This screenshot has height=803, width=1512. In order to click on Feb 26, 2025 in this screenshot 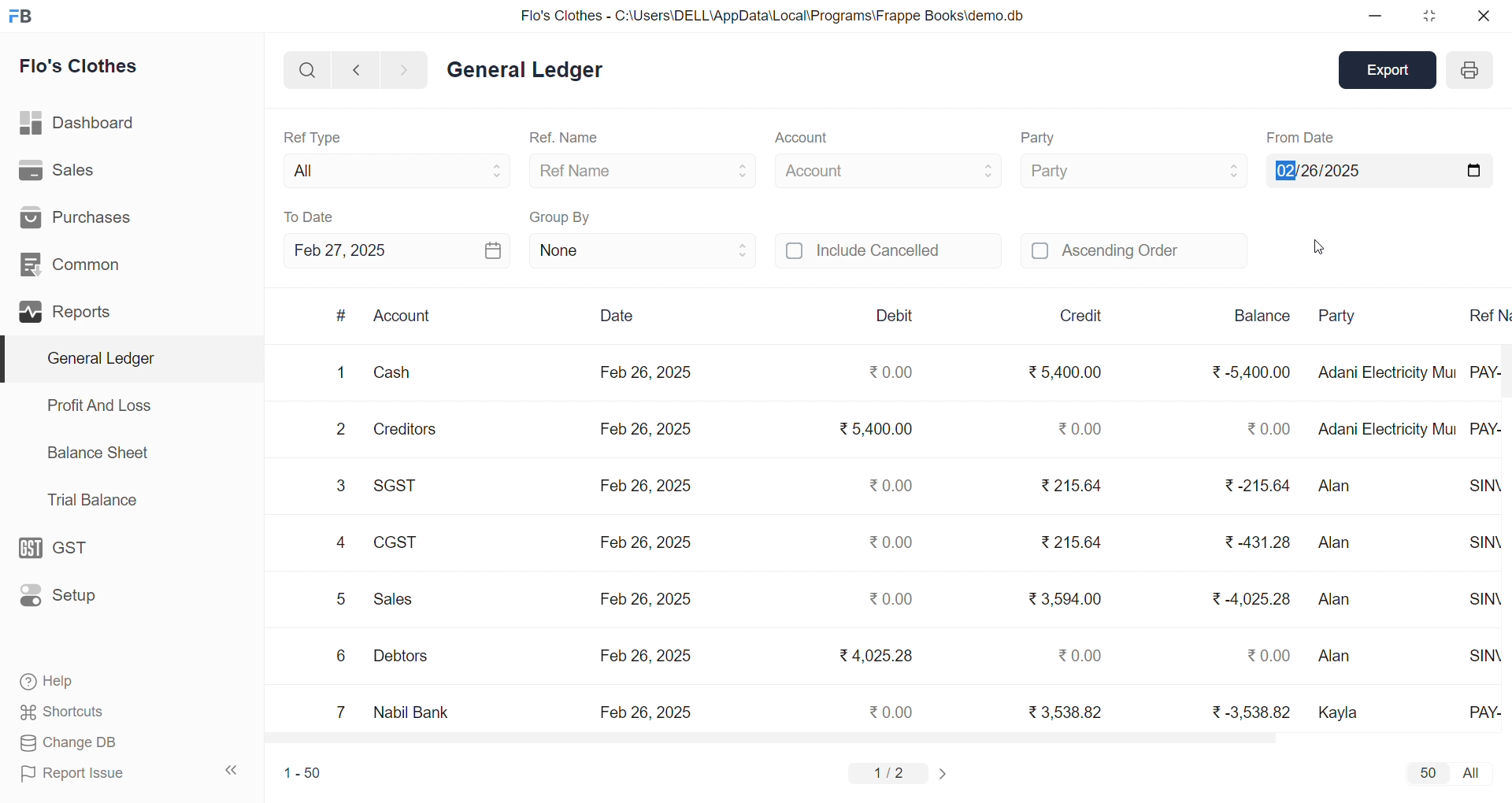, I will do `click(646, 543)`.